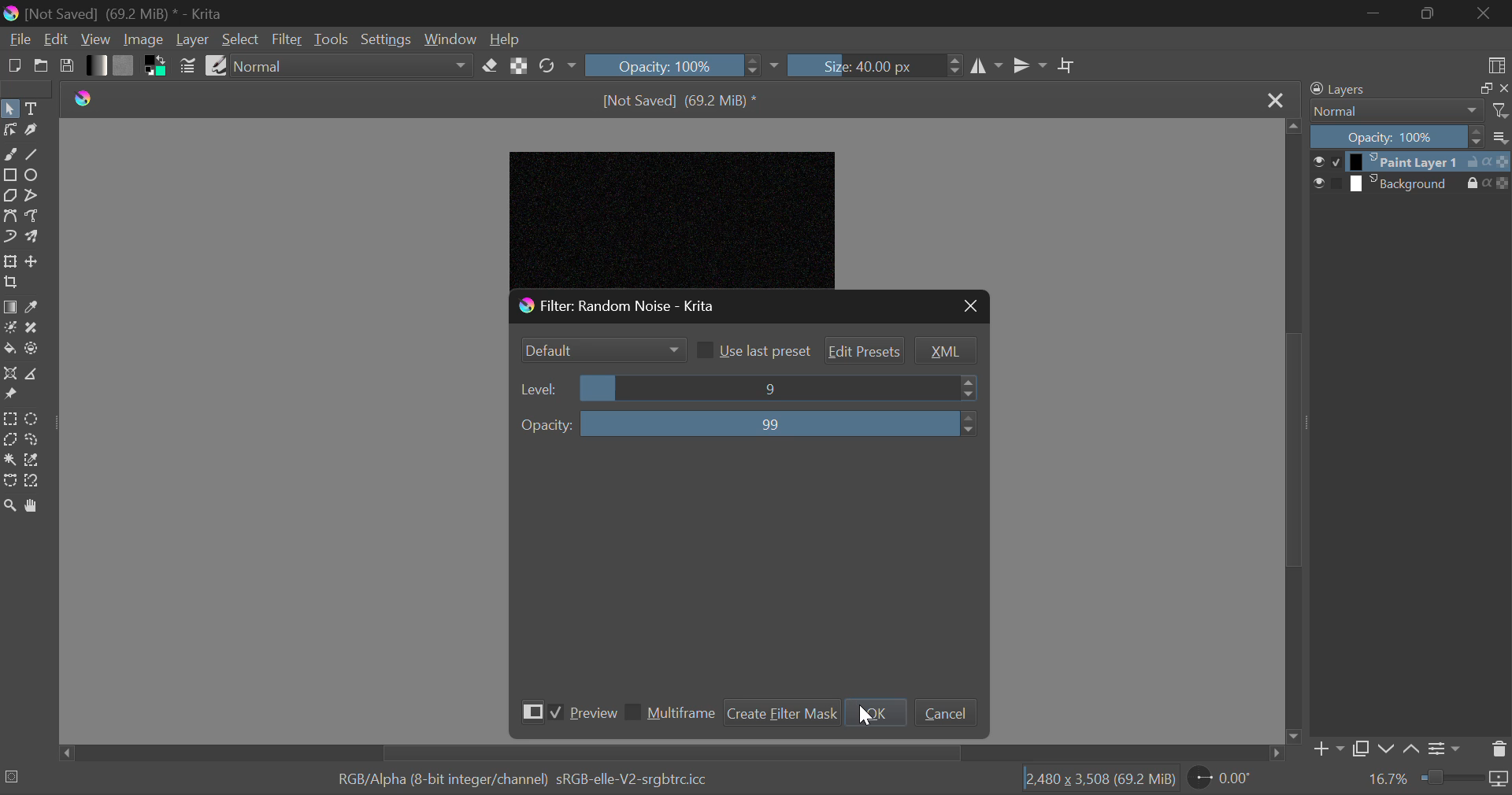 The image size is (1512, 795). I want to click on checkbox, so click(1335, 183).